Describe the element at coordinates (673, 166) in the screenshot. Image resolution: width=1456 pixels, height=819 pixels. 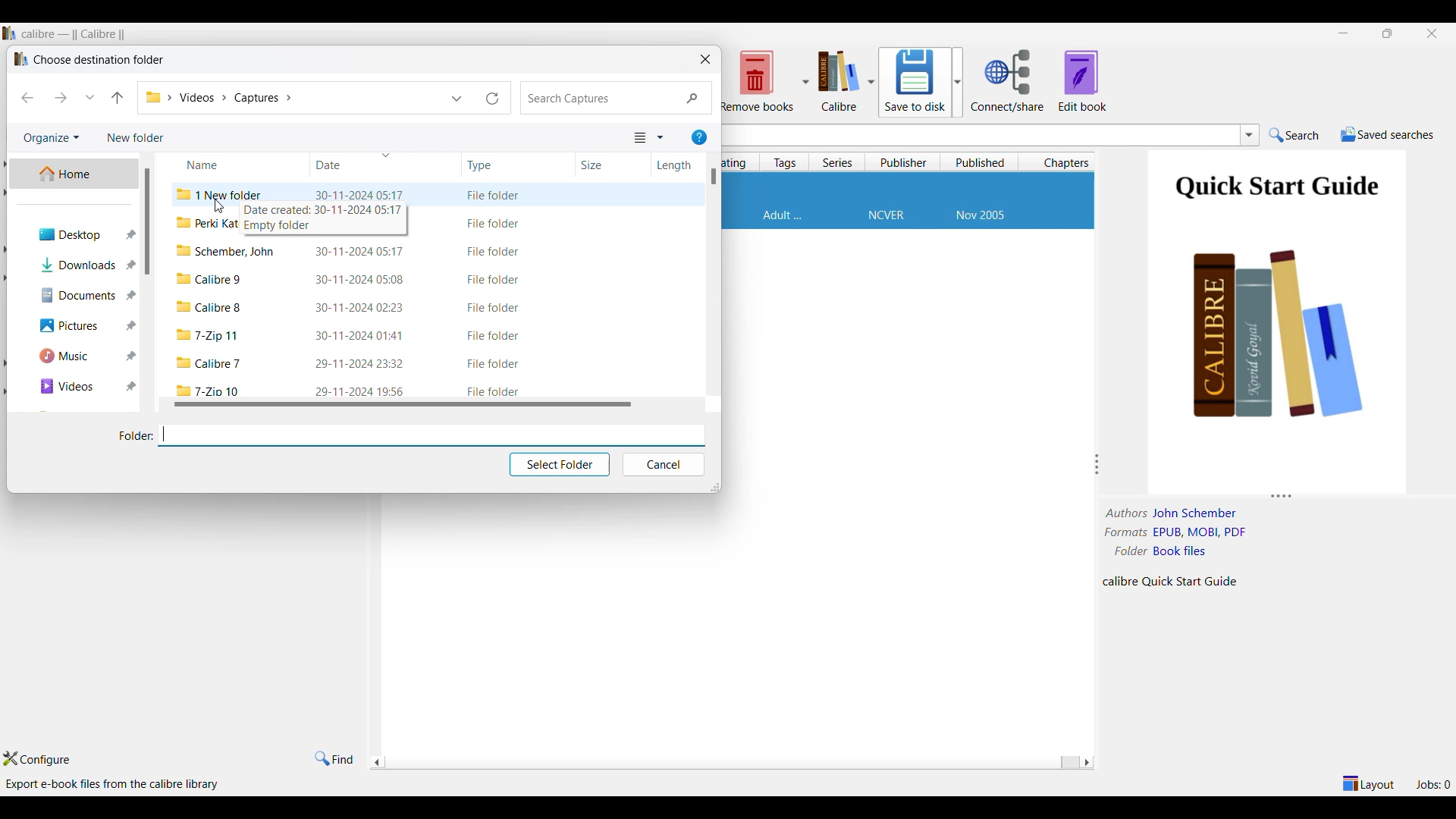
I see `Length column` at that location.